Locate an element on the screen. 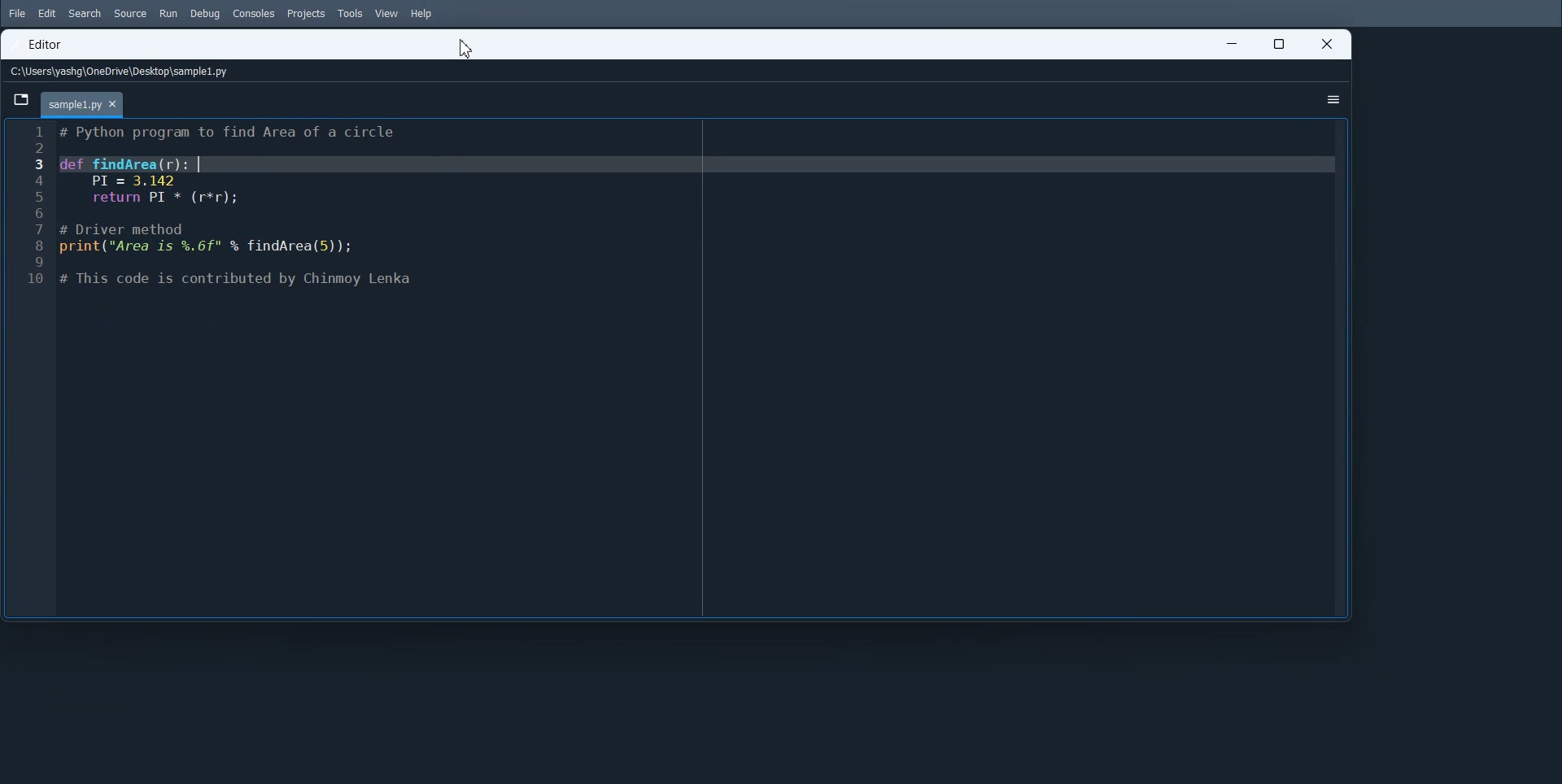 The width and height of the screenshot is (1562, 784). Search is located at coordinates (85, 14).